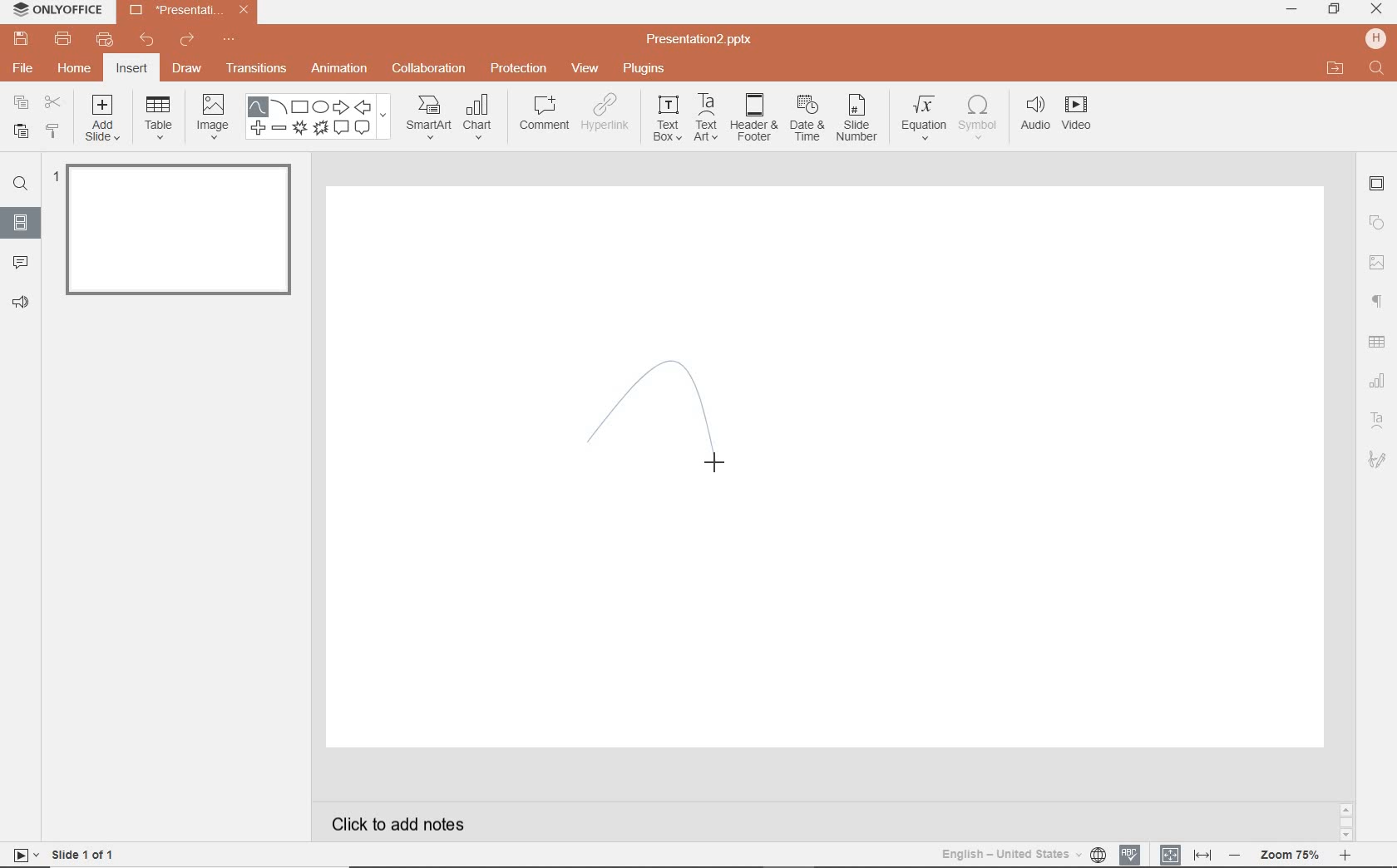 This screenshot has height=868, width=1397. I want to click on VIEW, so click(585, 67).